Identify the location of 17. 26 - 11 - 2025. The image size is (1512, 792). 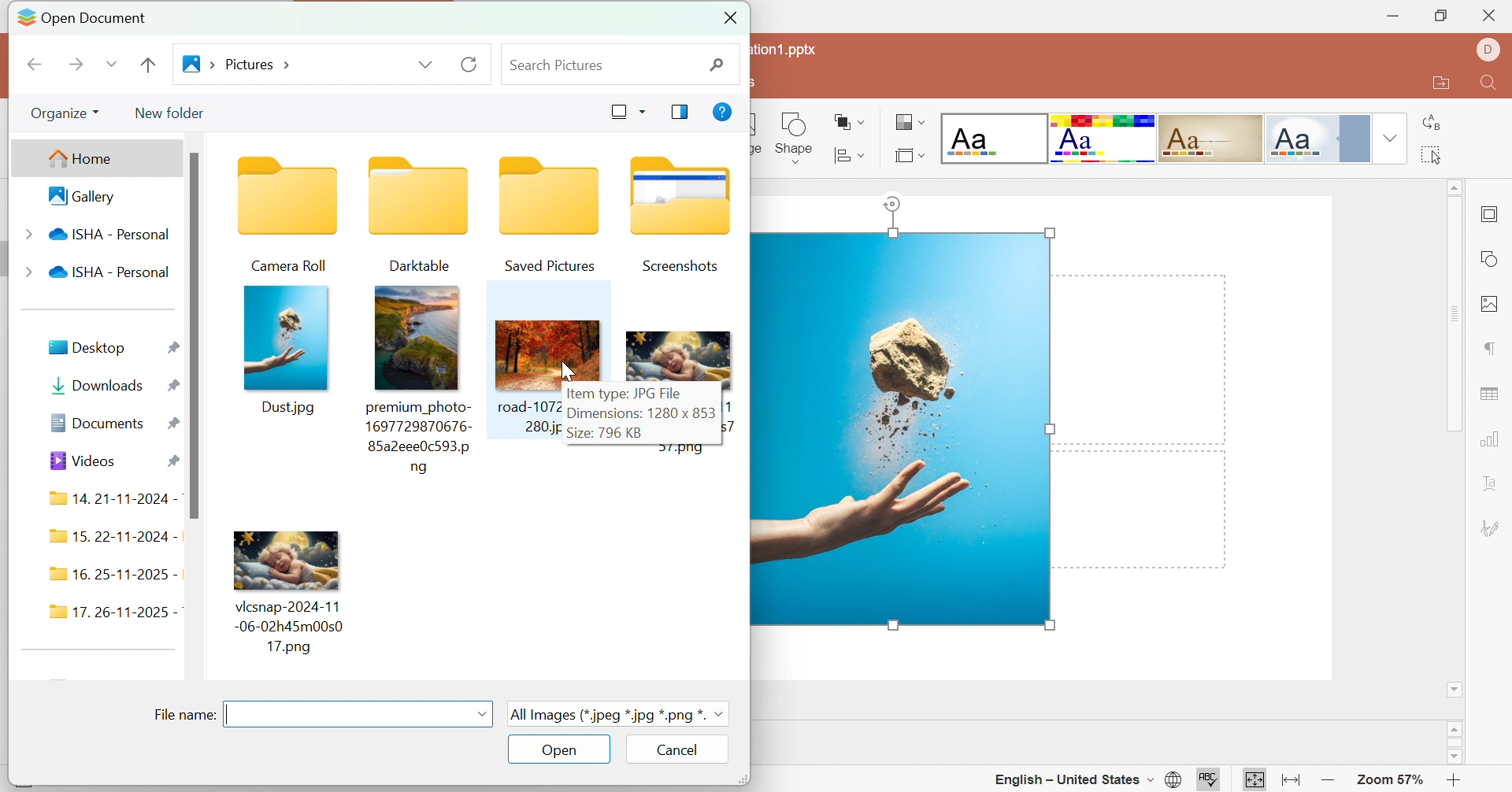
(113, 609).